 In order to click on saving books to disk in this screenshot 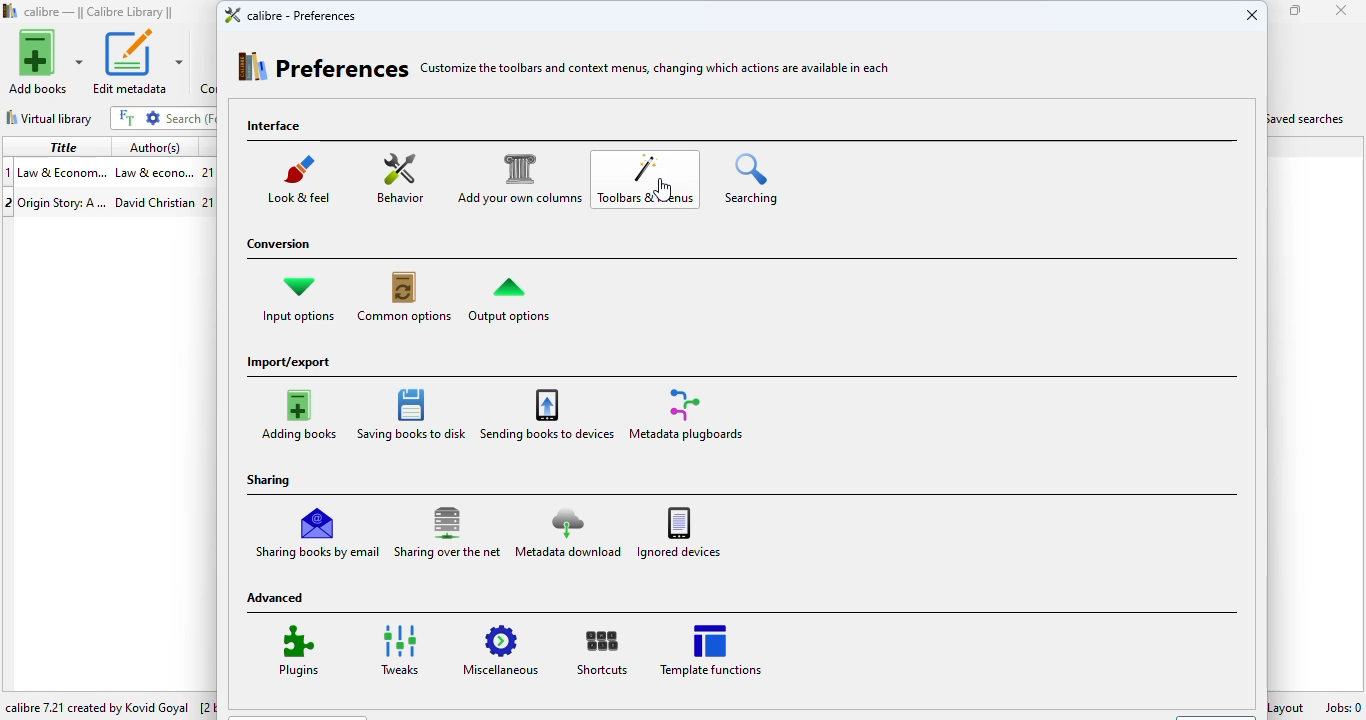, I will do `click(411, 413)`.